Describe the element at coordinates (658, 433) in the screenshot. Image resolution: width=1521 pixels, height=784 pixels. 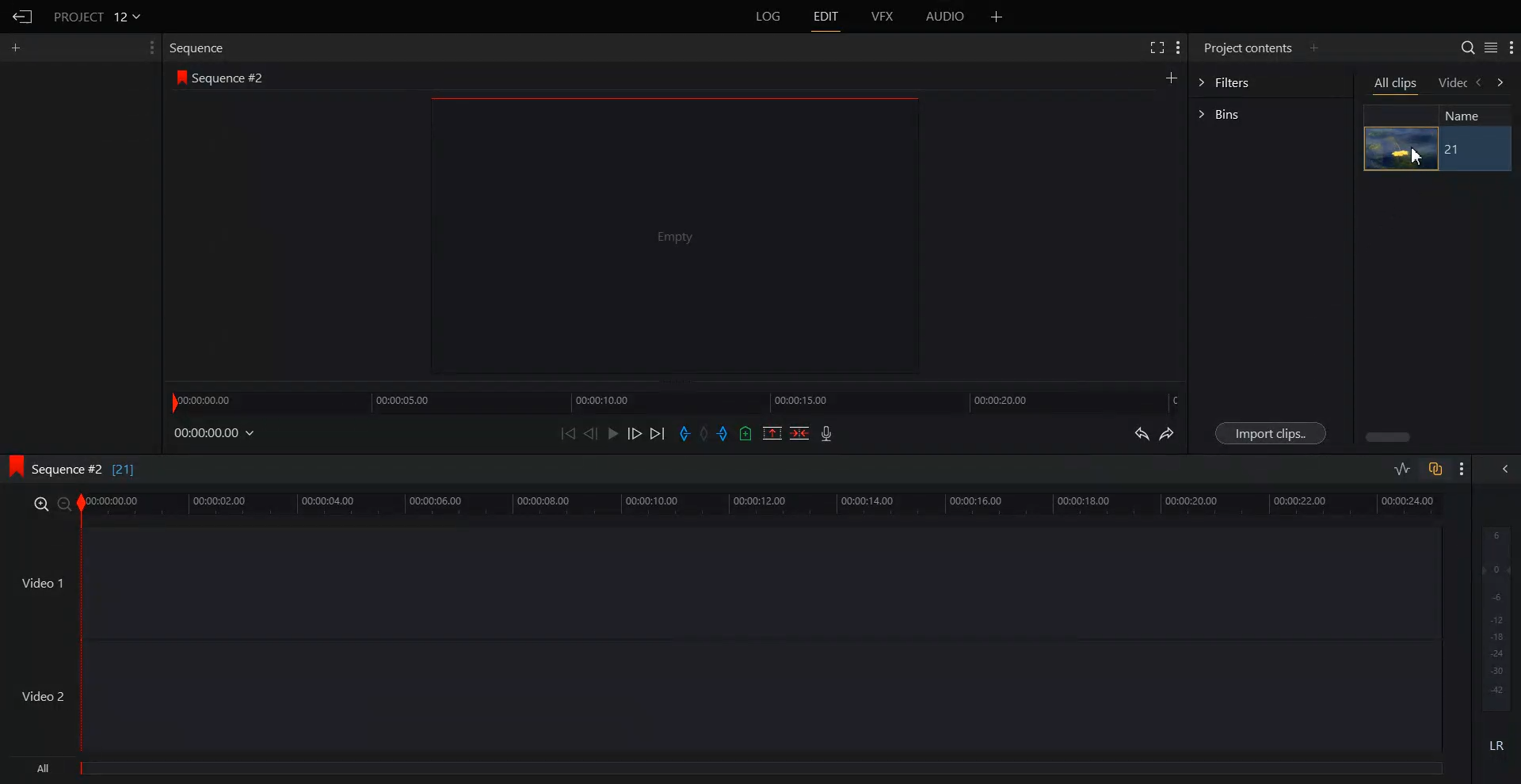
I see `Move Forward` at that location.